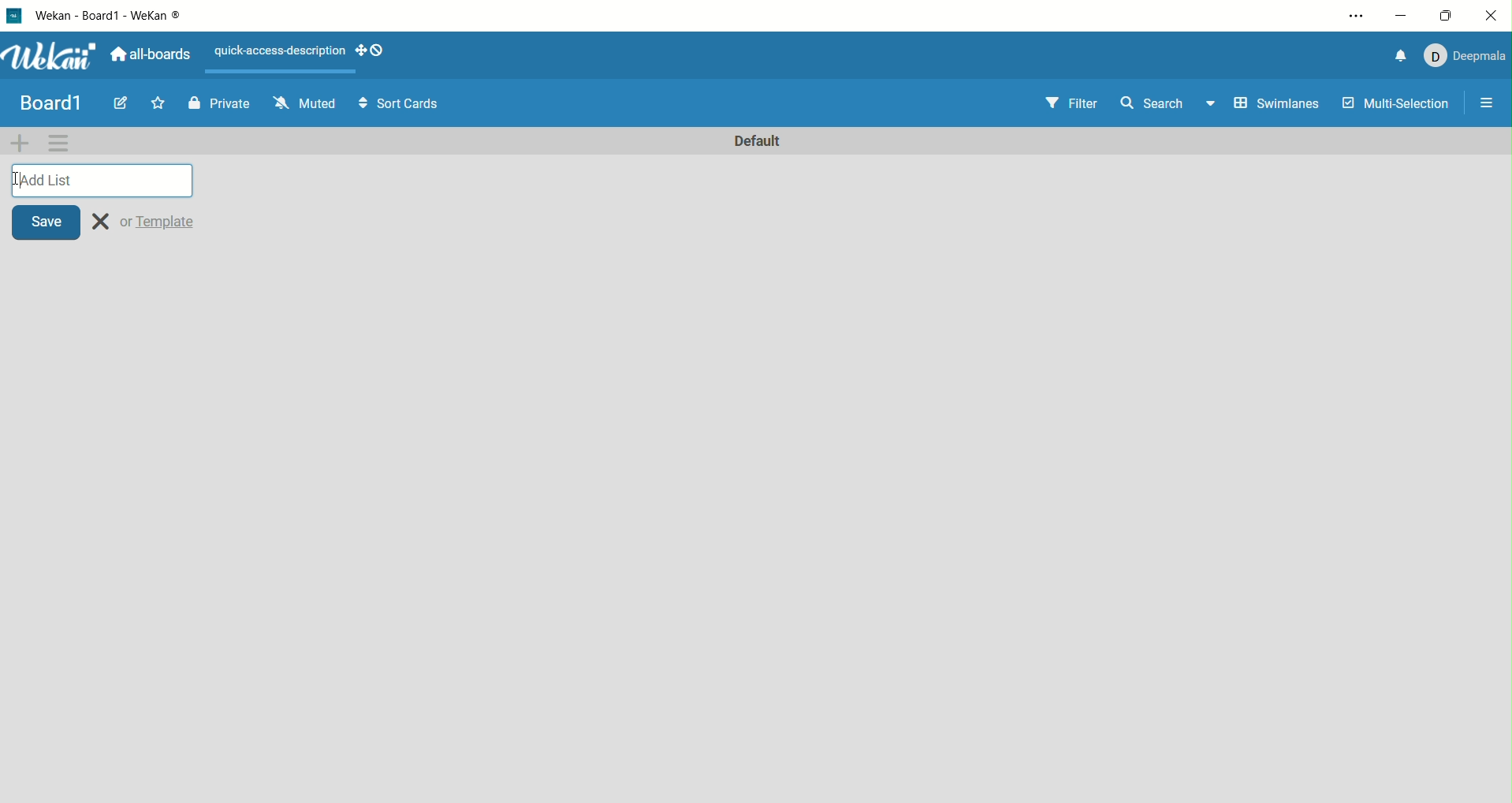 Image resolution: width=1512 pixels, height=803 pixels. What do you see at coordinates (360, 51) in the screenshot?
I see `show-desktop-drag-handles` at bounding box center [360, 51].